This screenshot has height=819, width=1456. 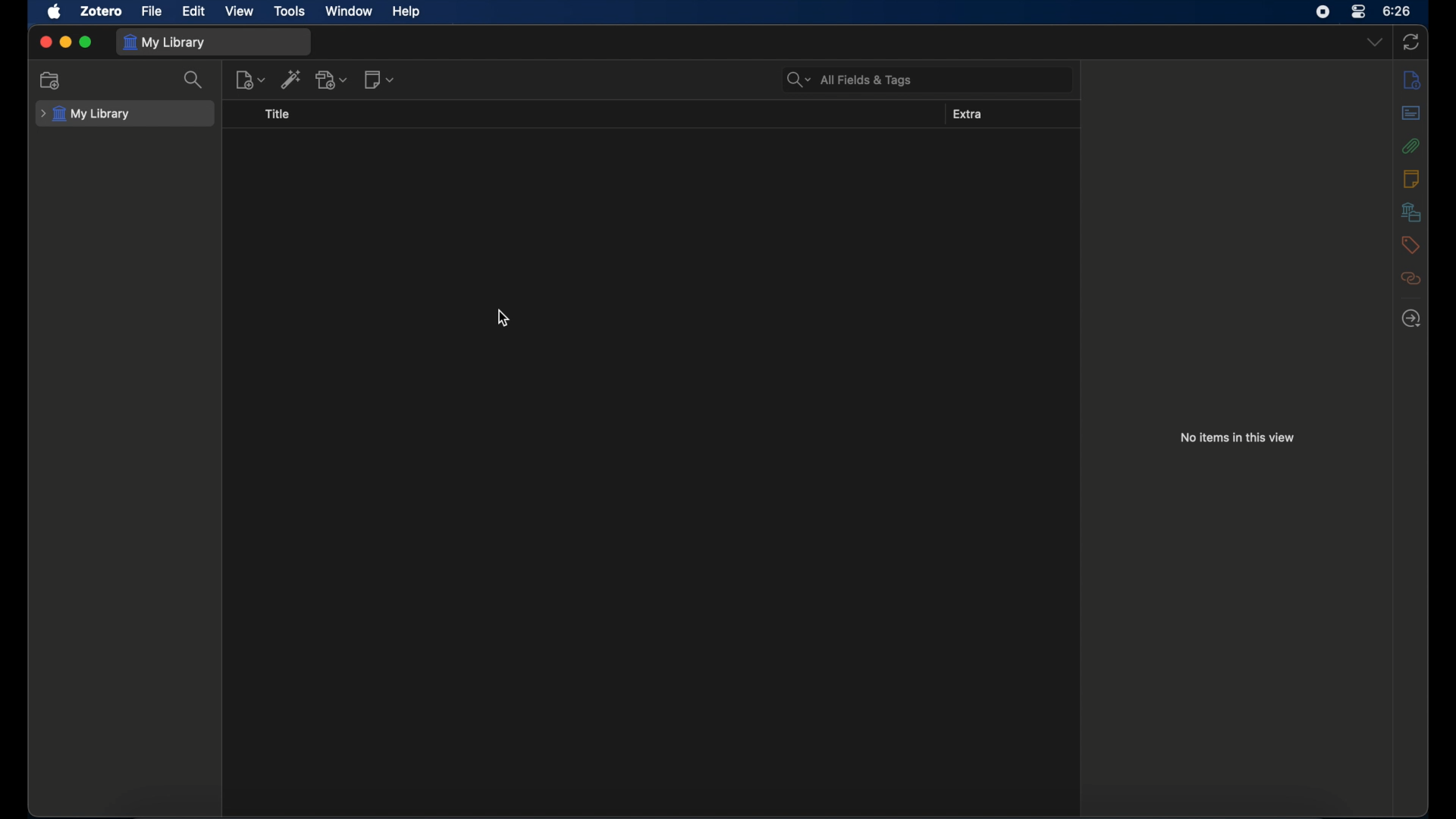 I want to click on dropdown, so click(x=1375, y=42).